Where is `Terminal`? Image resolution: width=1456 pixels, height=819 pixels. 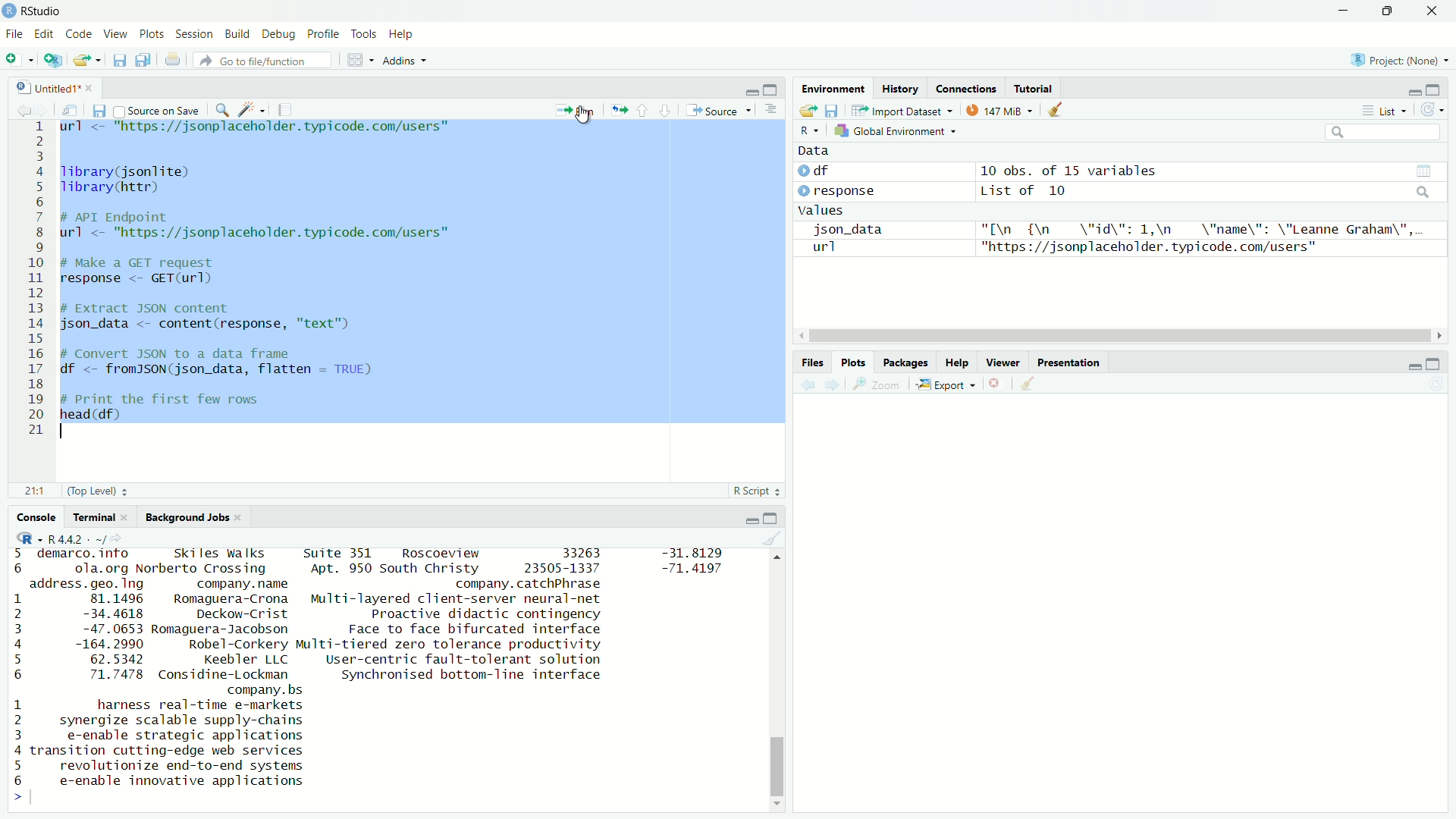
Terminal is located at coordinates (102, 518).